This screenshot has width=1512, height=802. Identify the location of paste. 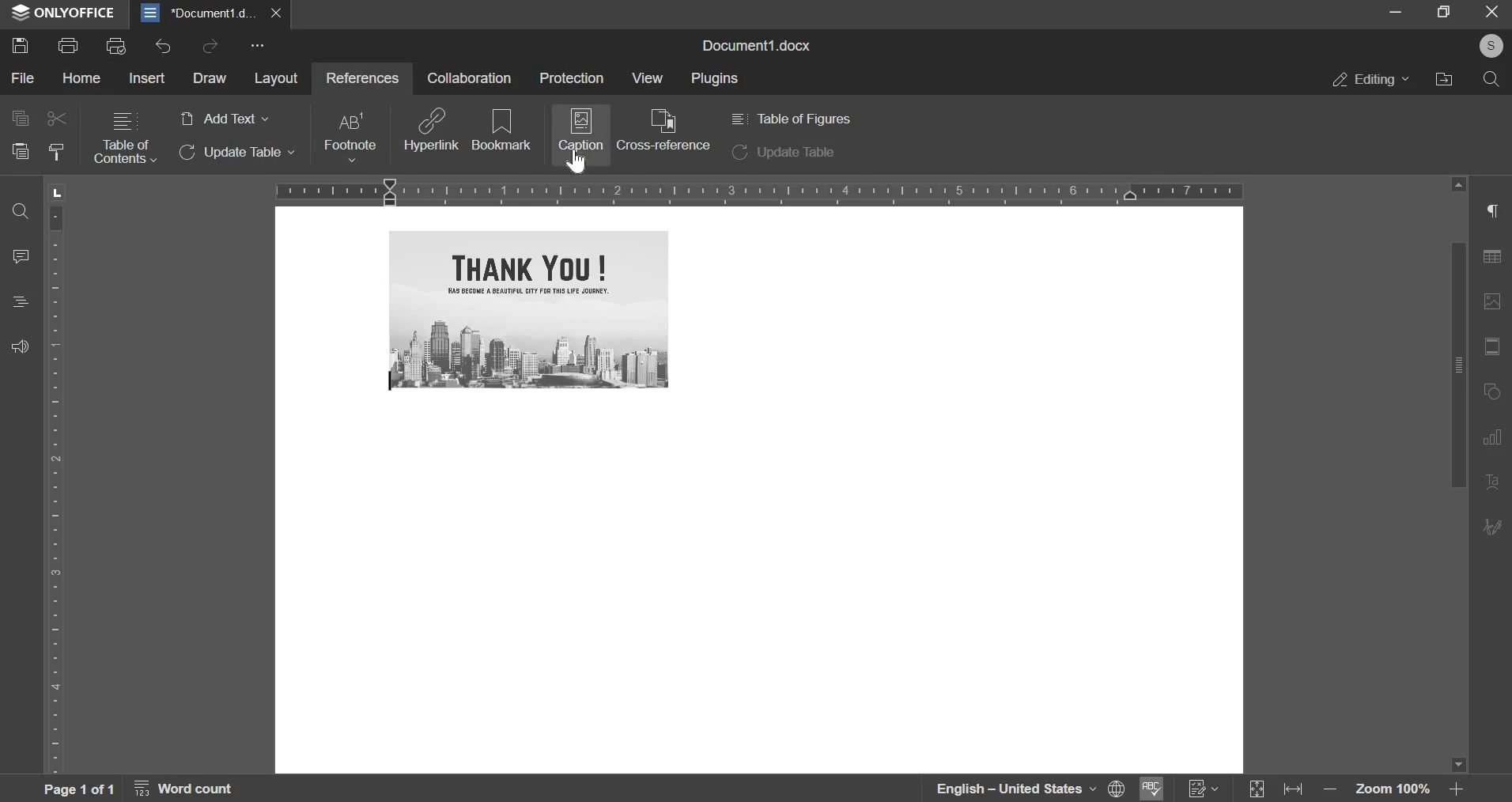
(19, 151).